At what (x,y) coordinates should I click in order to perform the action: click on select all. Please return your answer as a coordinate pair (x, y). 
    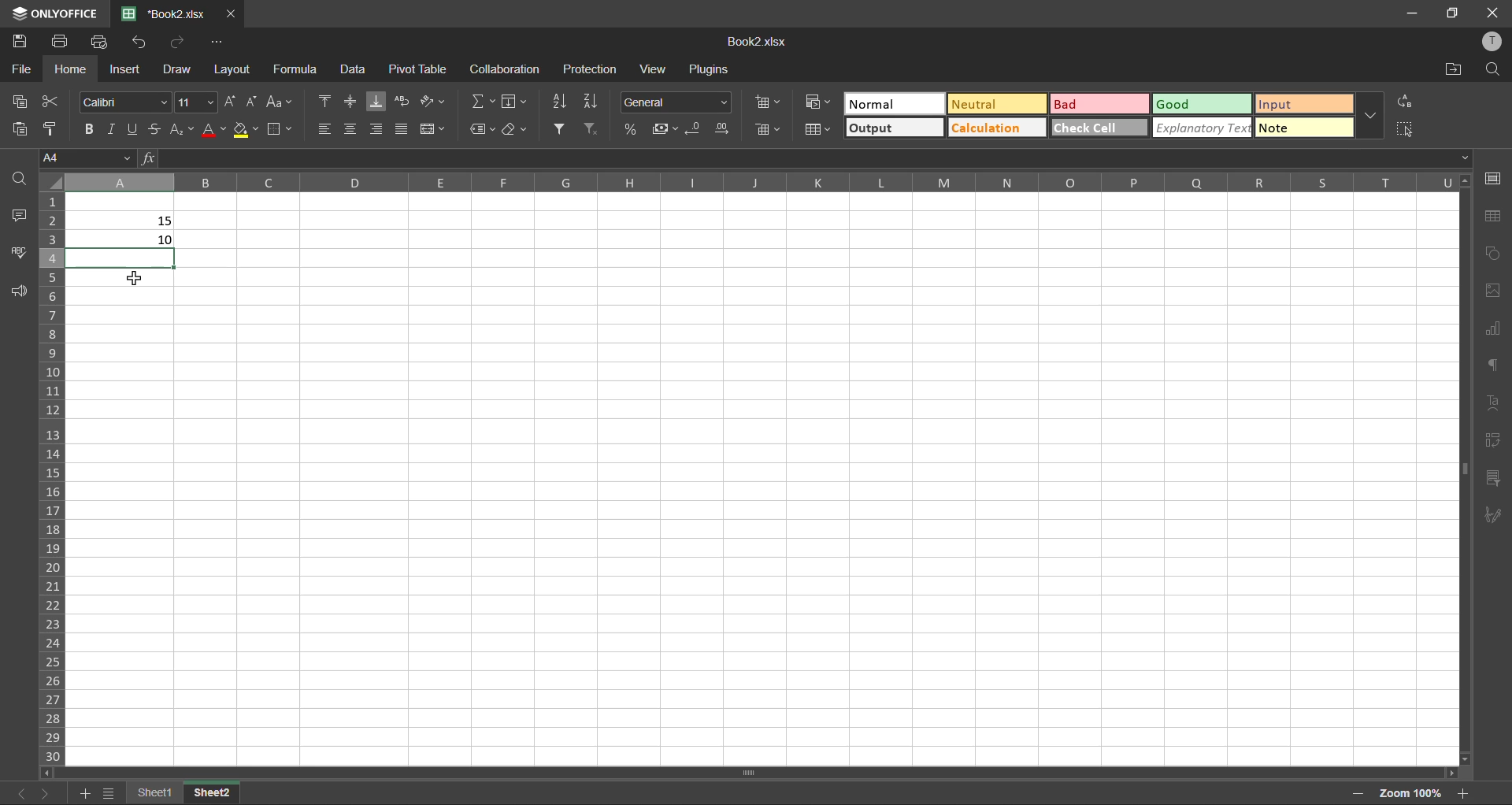
    Looking at the image, I should click on (1406, 128).